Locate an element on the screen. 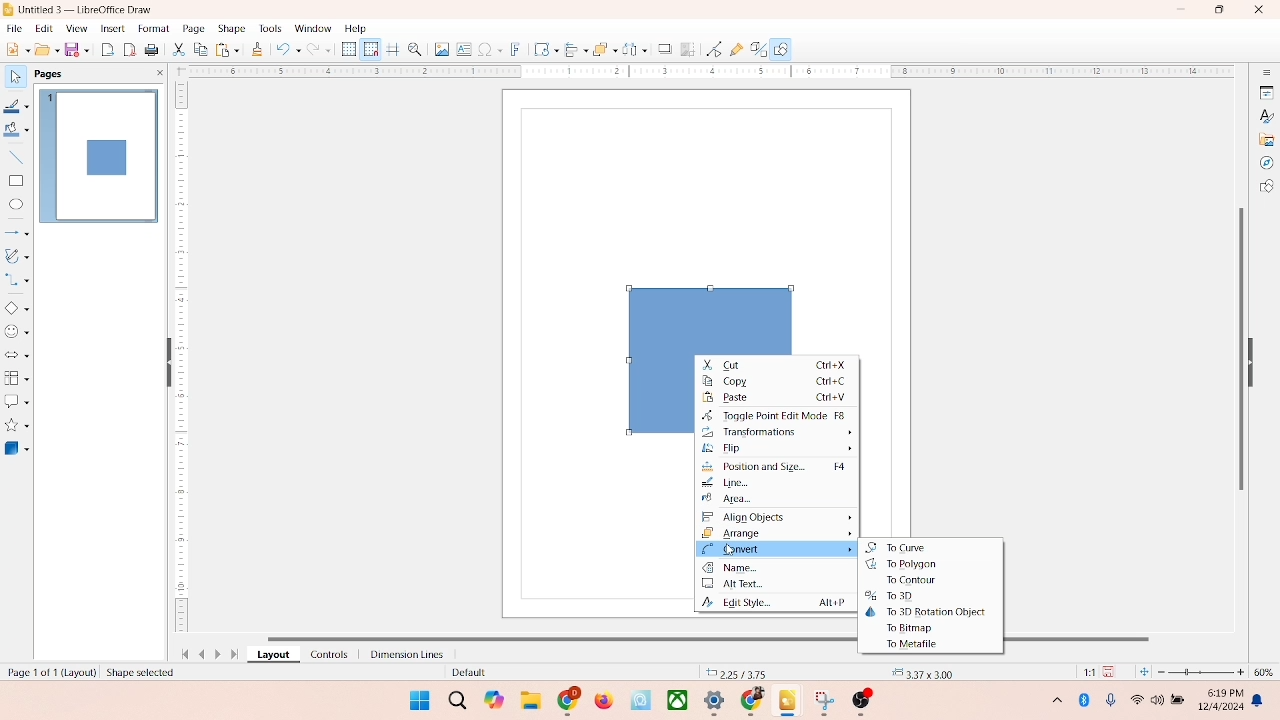 Image resolution: width=1280 pixels, height=720 pixels. hide is located at coordinates (165, 364).